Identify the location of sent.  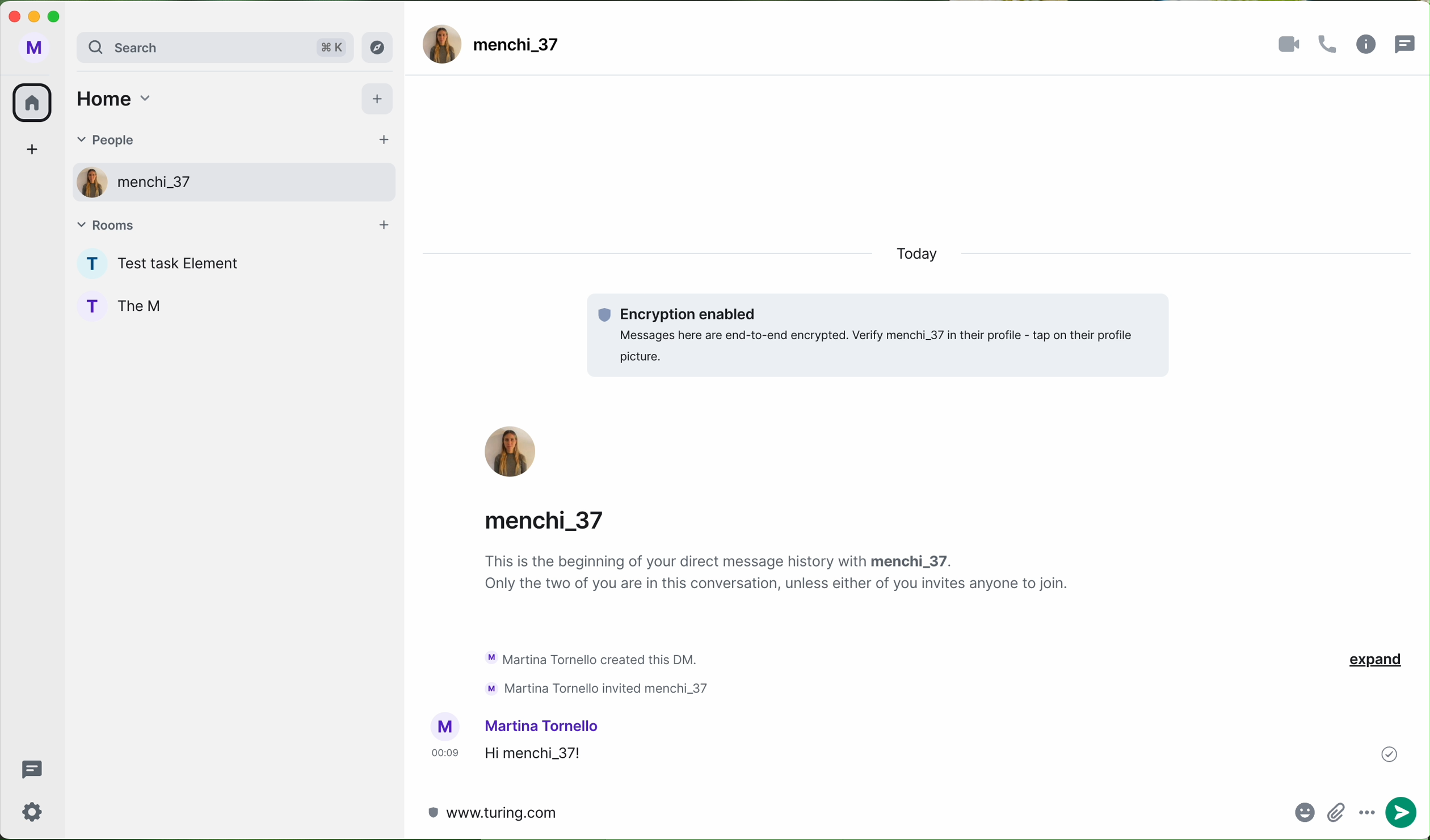
(1390, 755).